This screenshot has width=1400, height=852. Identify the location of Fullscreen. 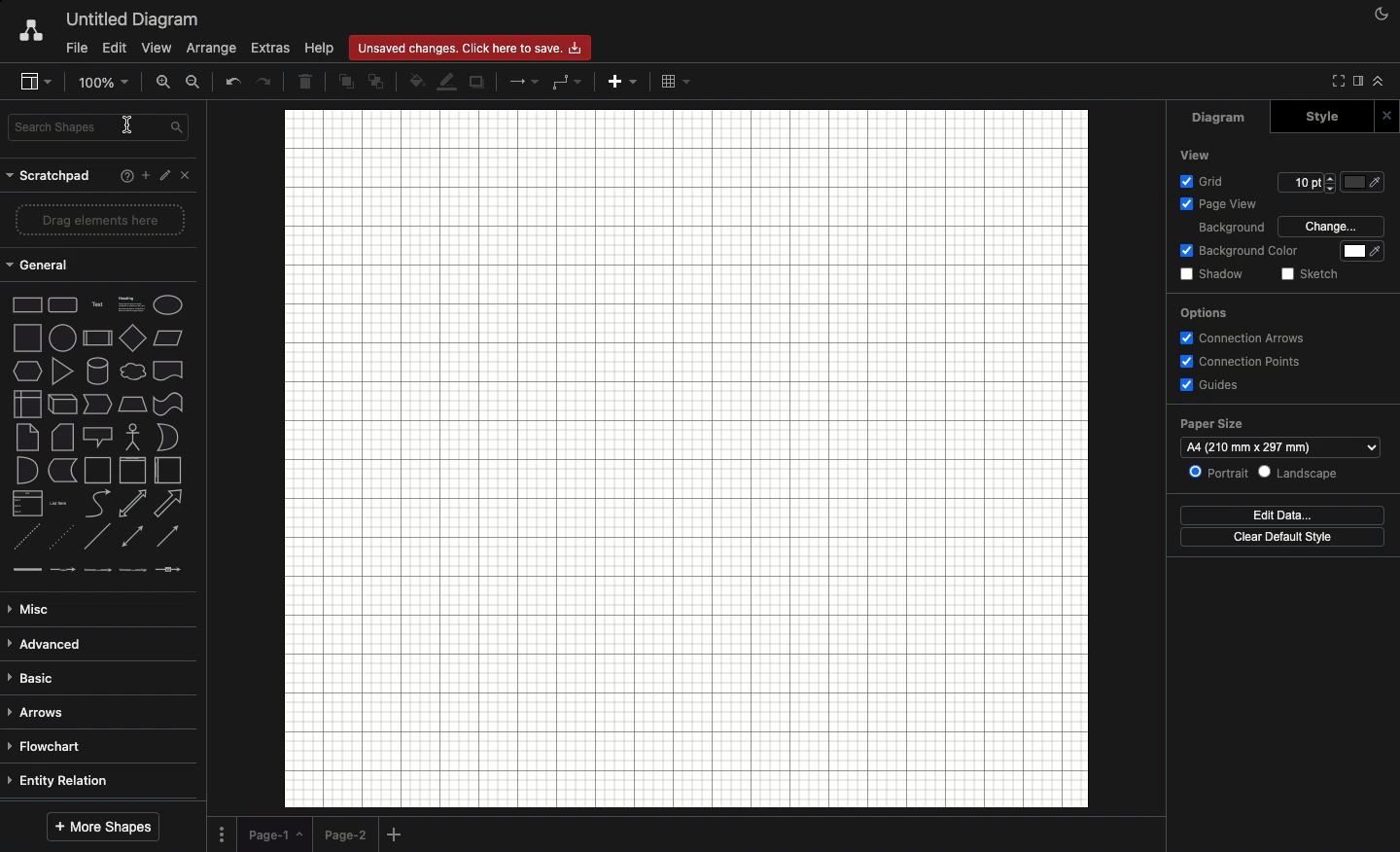
(1335, 81).